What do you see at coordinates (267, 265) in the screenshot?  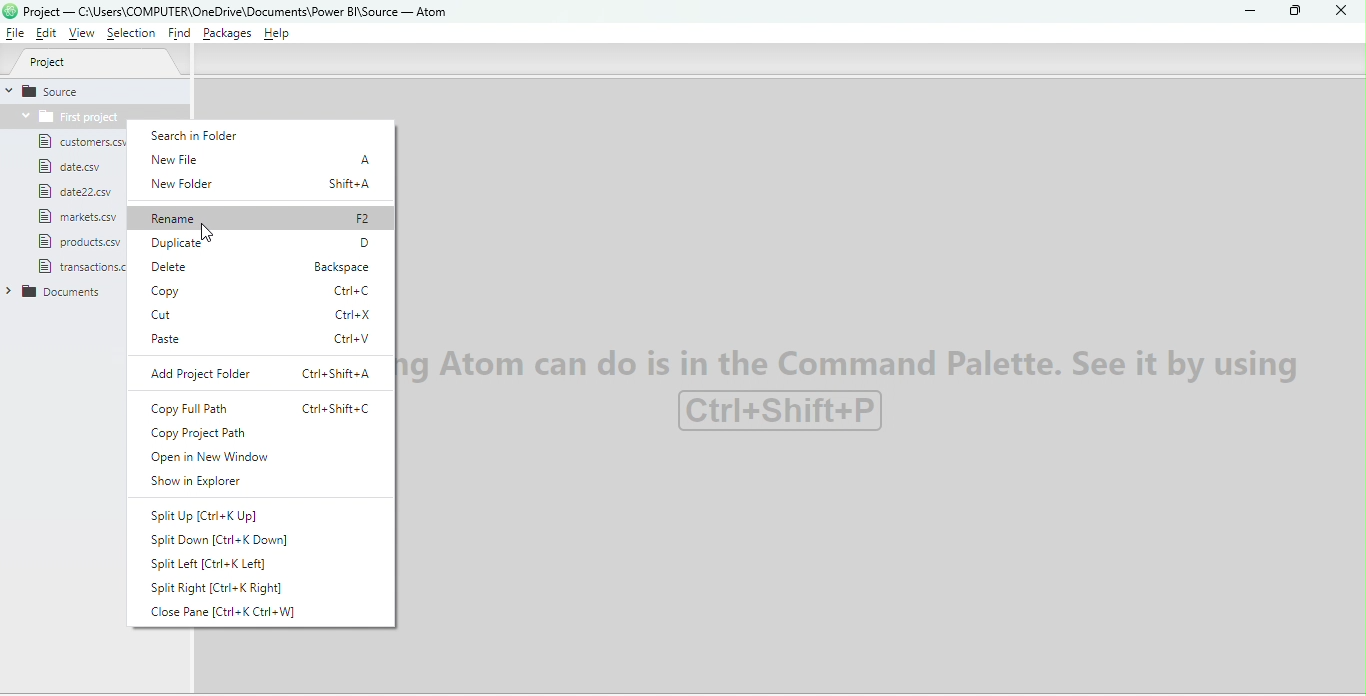 I see `Delete` at bounding box center [267, 265].